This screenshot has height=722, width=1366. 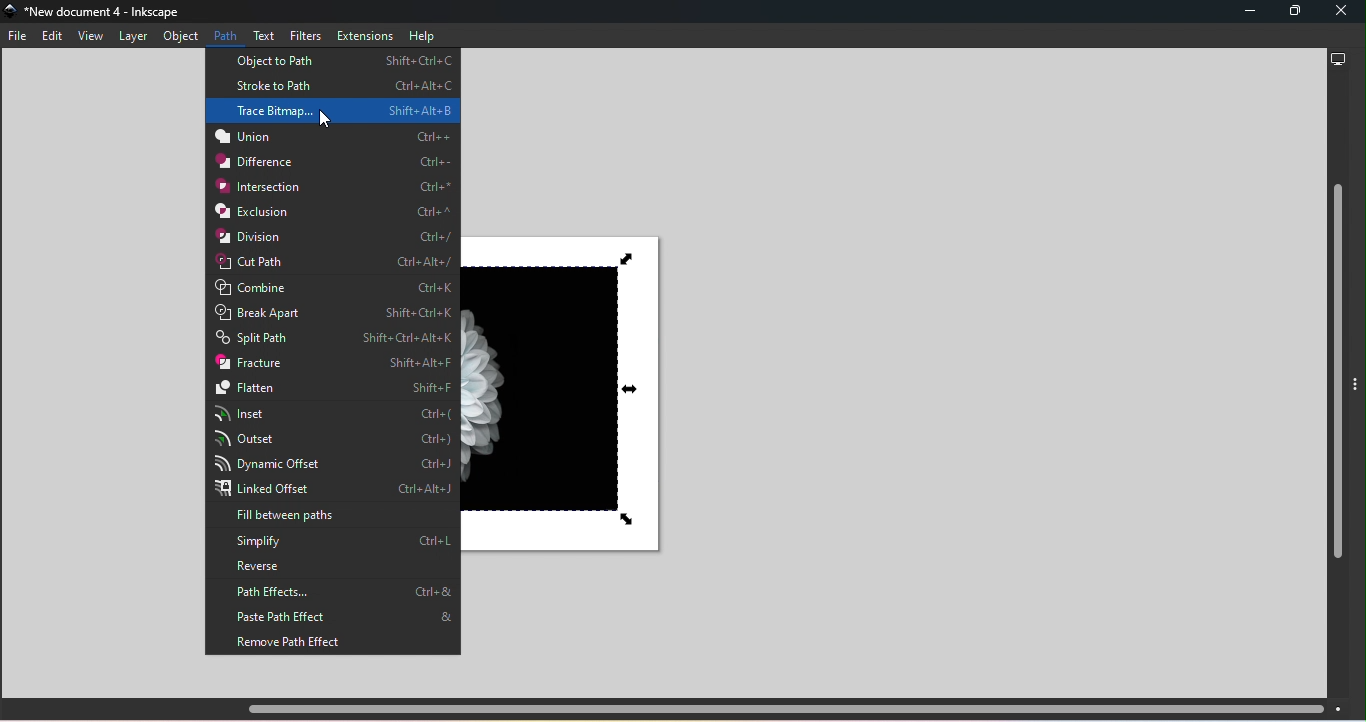 What do you see at coordinates (331, 287) in the screenshot?
I see `Combine` at bounding box center [331, 287].